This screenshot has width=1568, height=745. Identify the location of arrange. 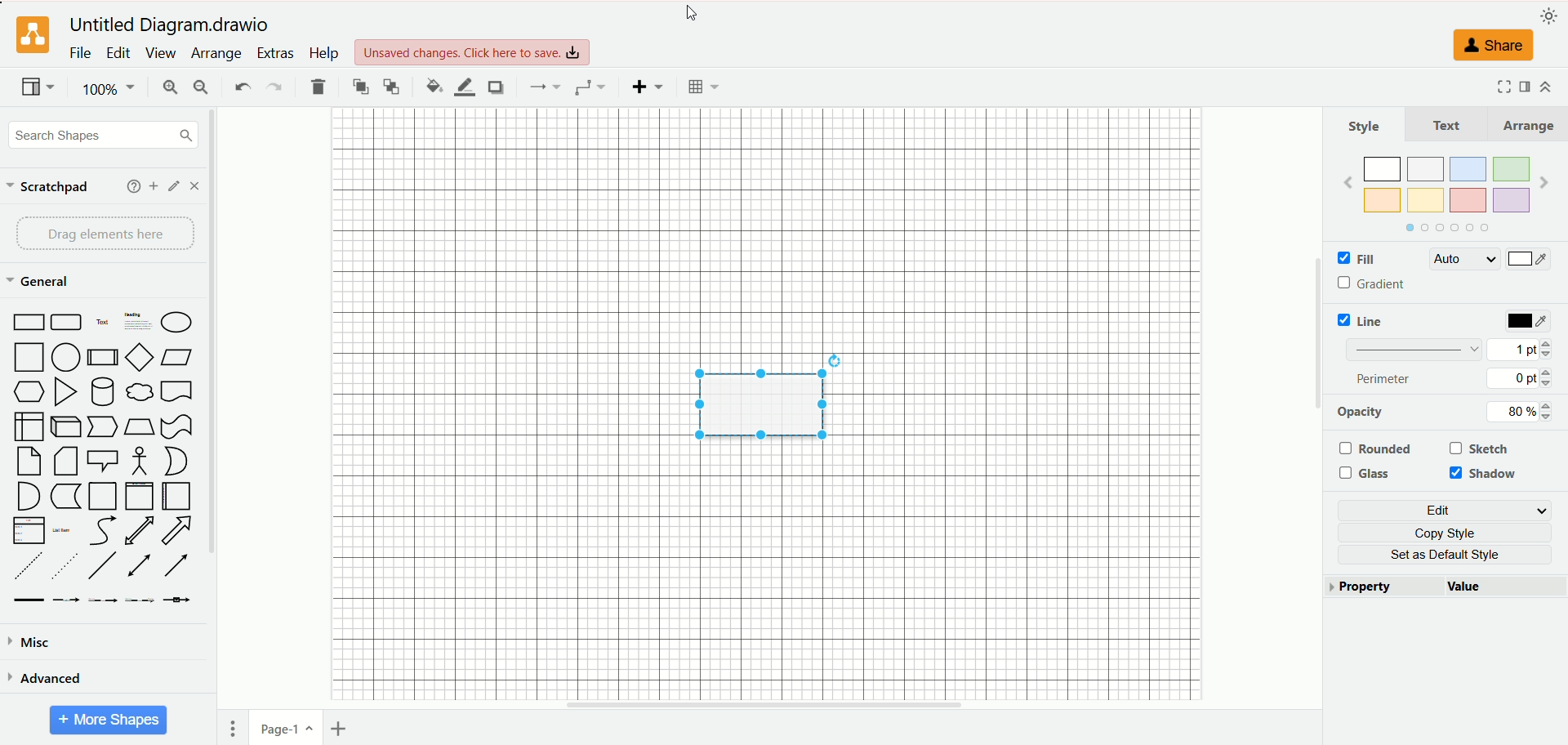
(218, 54).